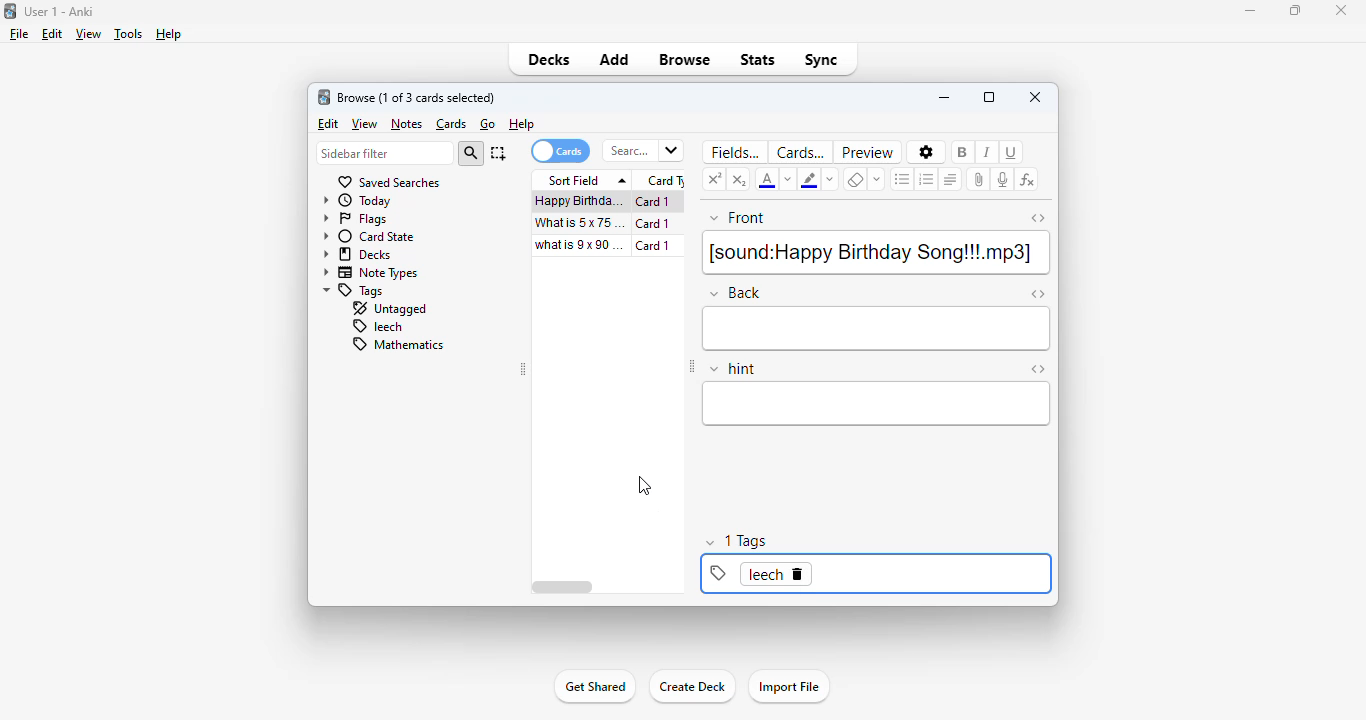 The height and width of the screenshot is (720, 1366). I want to click on help, so click(522, 124).